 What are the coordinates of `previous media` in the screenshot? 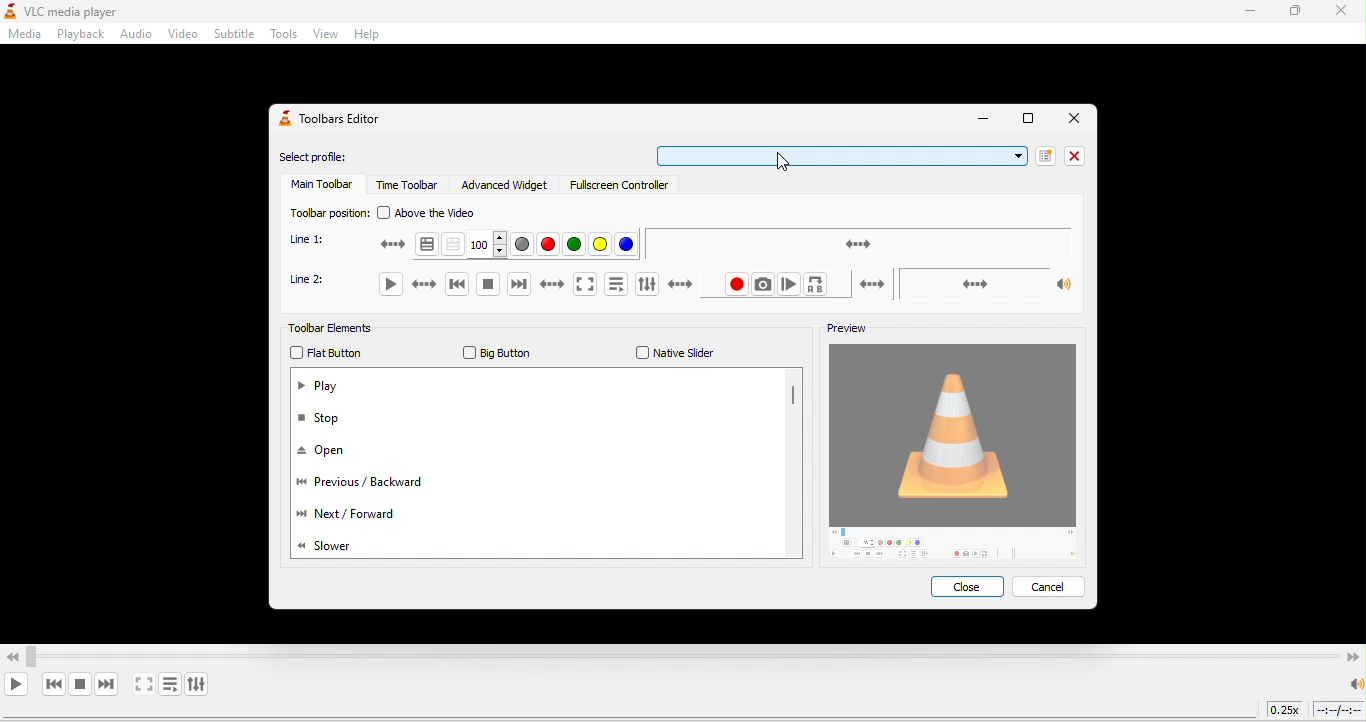 It's located at (457, 287).